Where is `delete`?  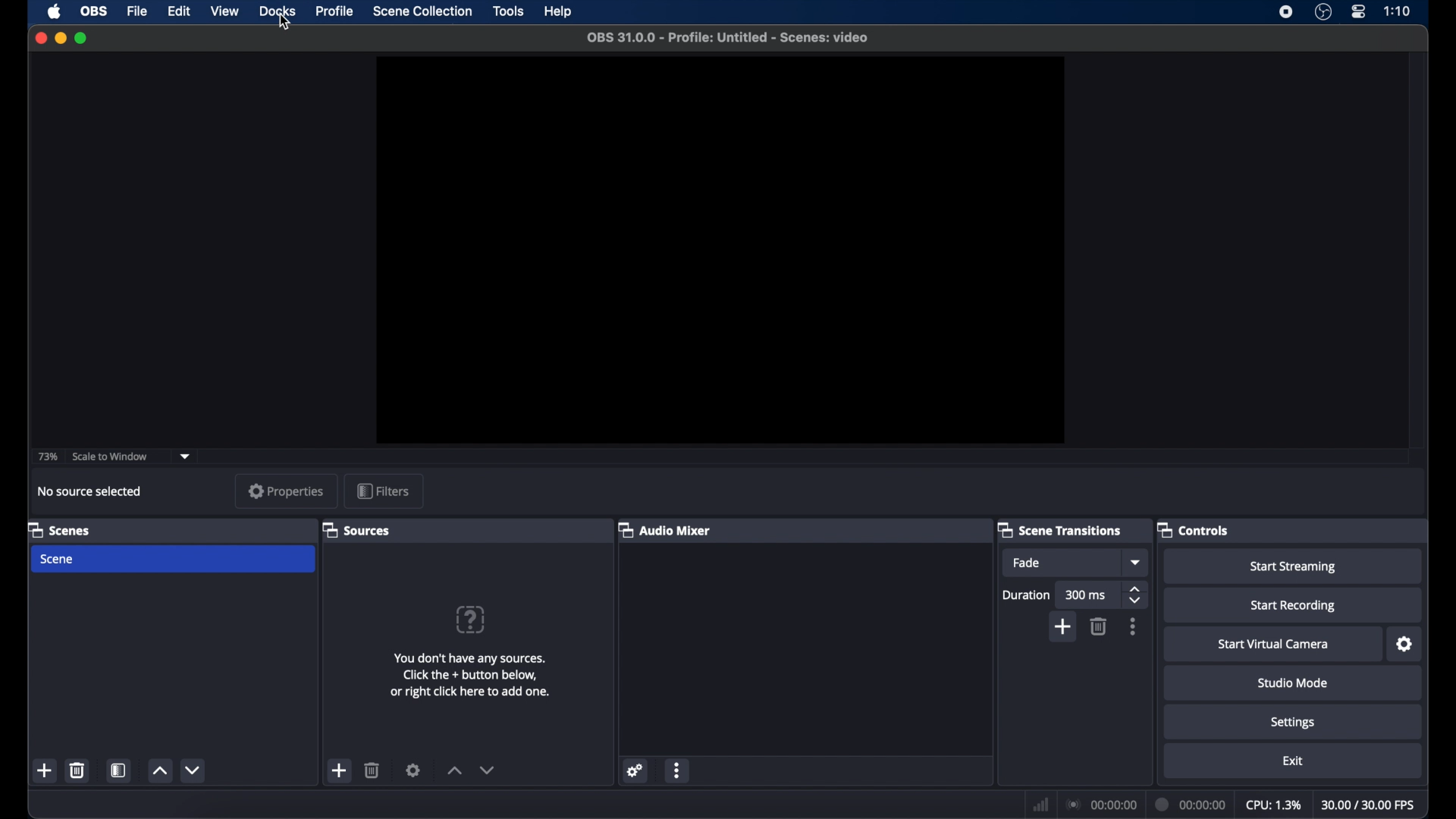
delete is located at coordinates (1098, 626).